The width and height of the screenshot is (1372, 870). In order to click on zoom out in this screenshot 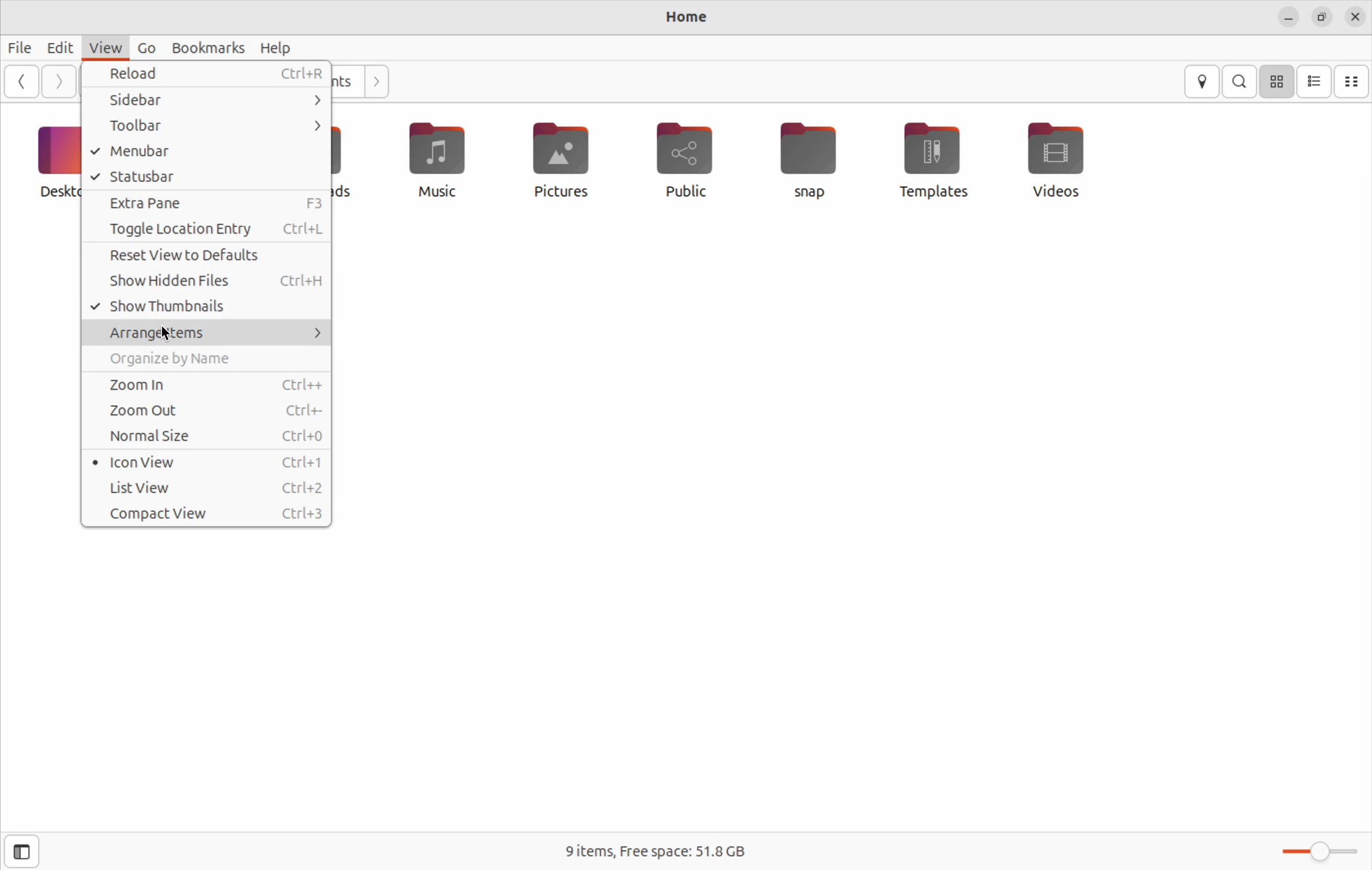, I will do `click(203, 410)`.